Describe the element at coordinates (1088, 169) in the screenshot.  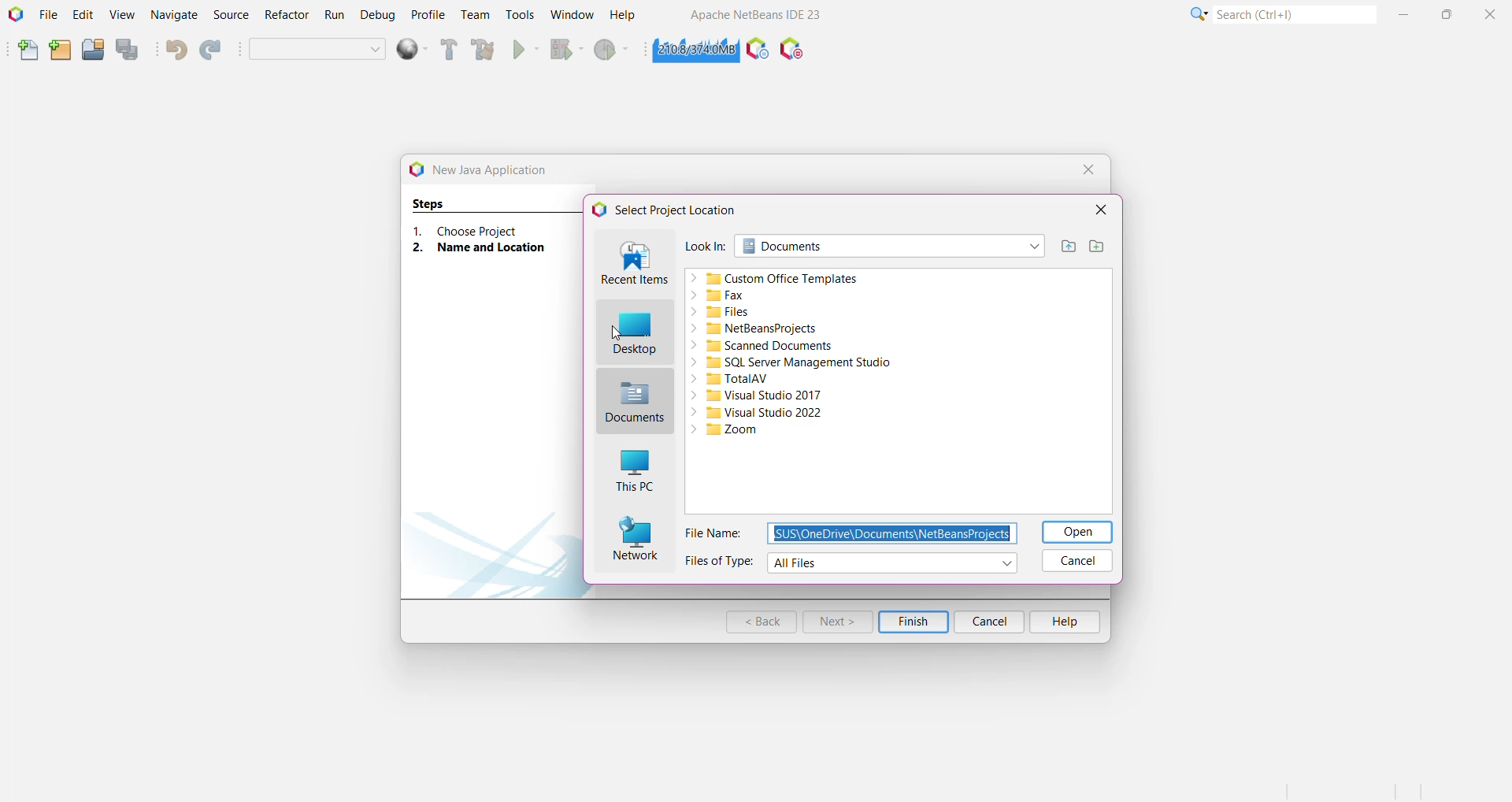
I see `Close` at that location.